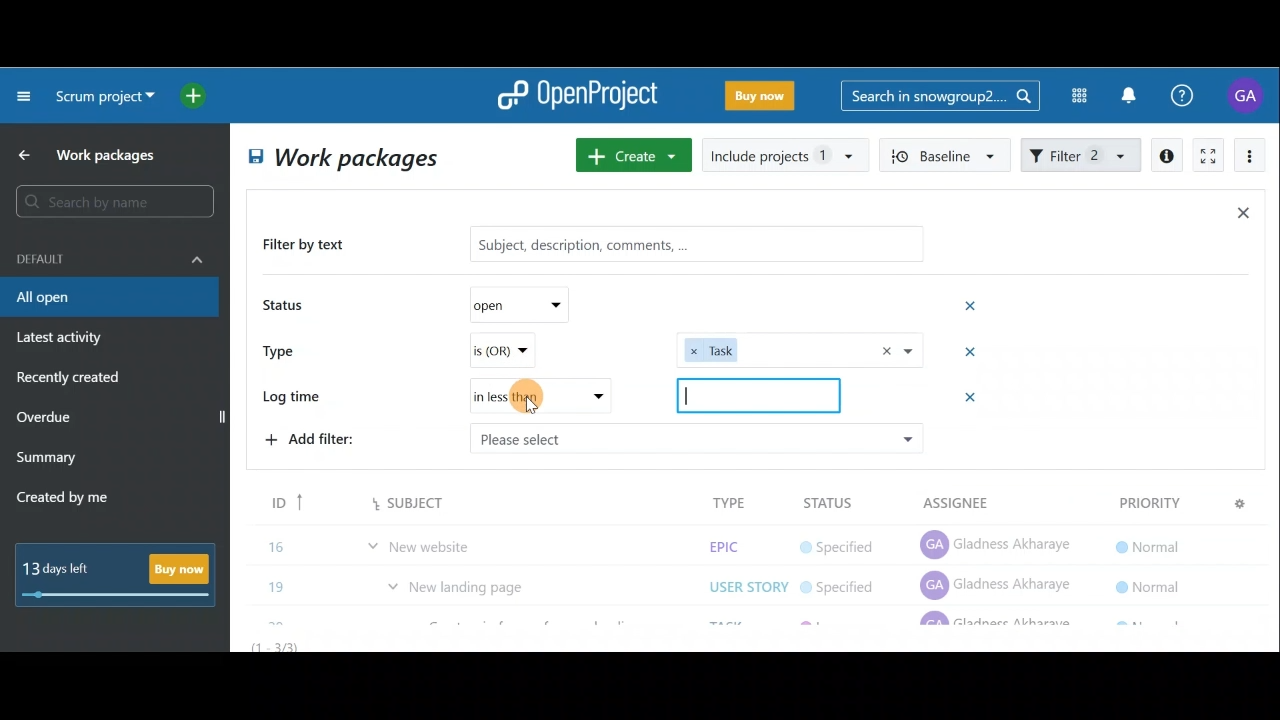  What do you see at coordinates (286, 307) in the screenshot?
I see `Status` at bounding box center [286, 307].